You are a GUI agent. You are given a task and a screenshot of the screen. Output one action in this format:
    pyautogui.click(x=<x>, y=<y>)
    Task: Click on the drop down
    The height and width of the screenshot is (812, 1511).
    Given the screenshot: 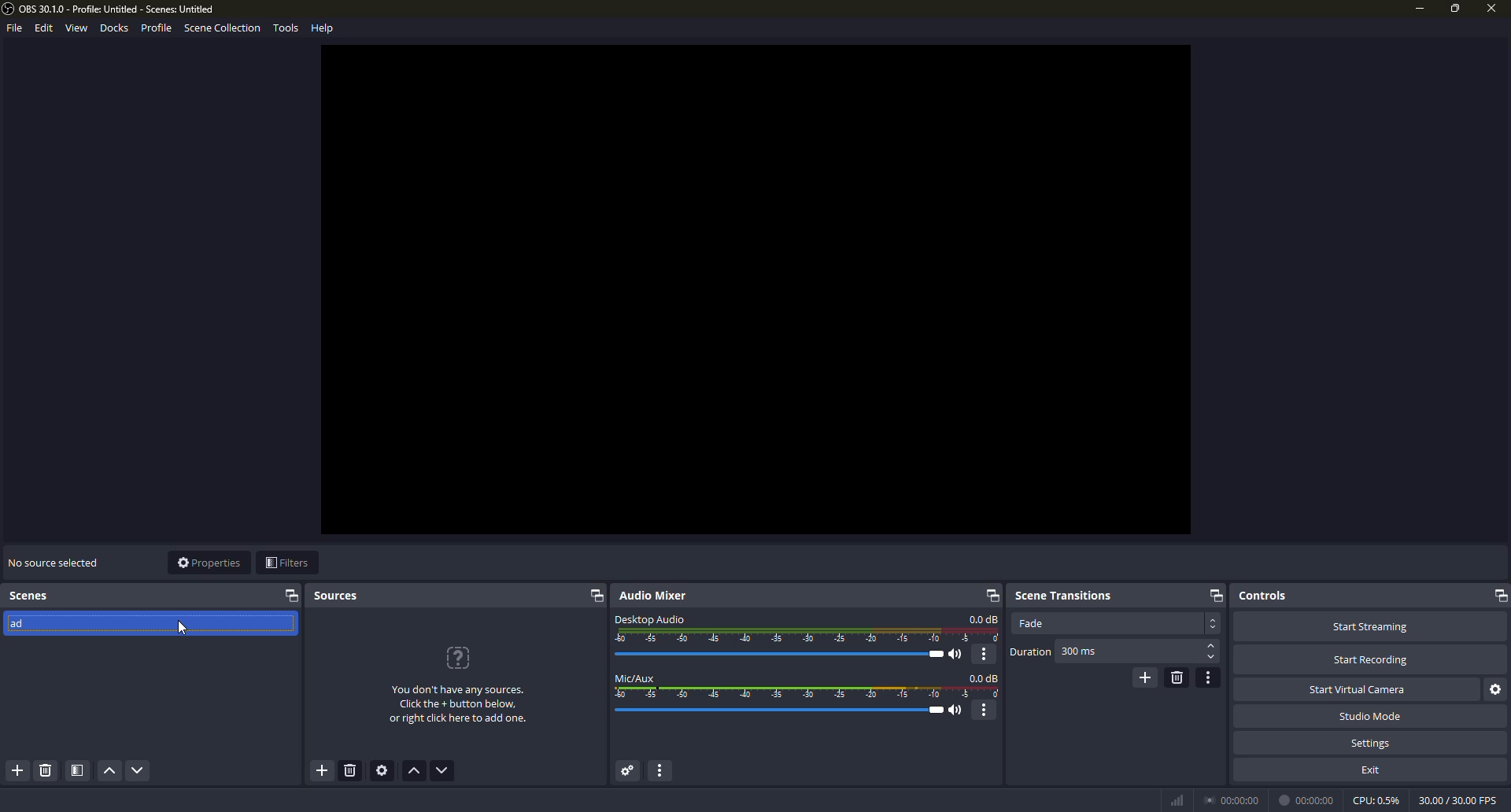 What is the action you would take?
    pyautogui.click(x=1214, y=623)
    